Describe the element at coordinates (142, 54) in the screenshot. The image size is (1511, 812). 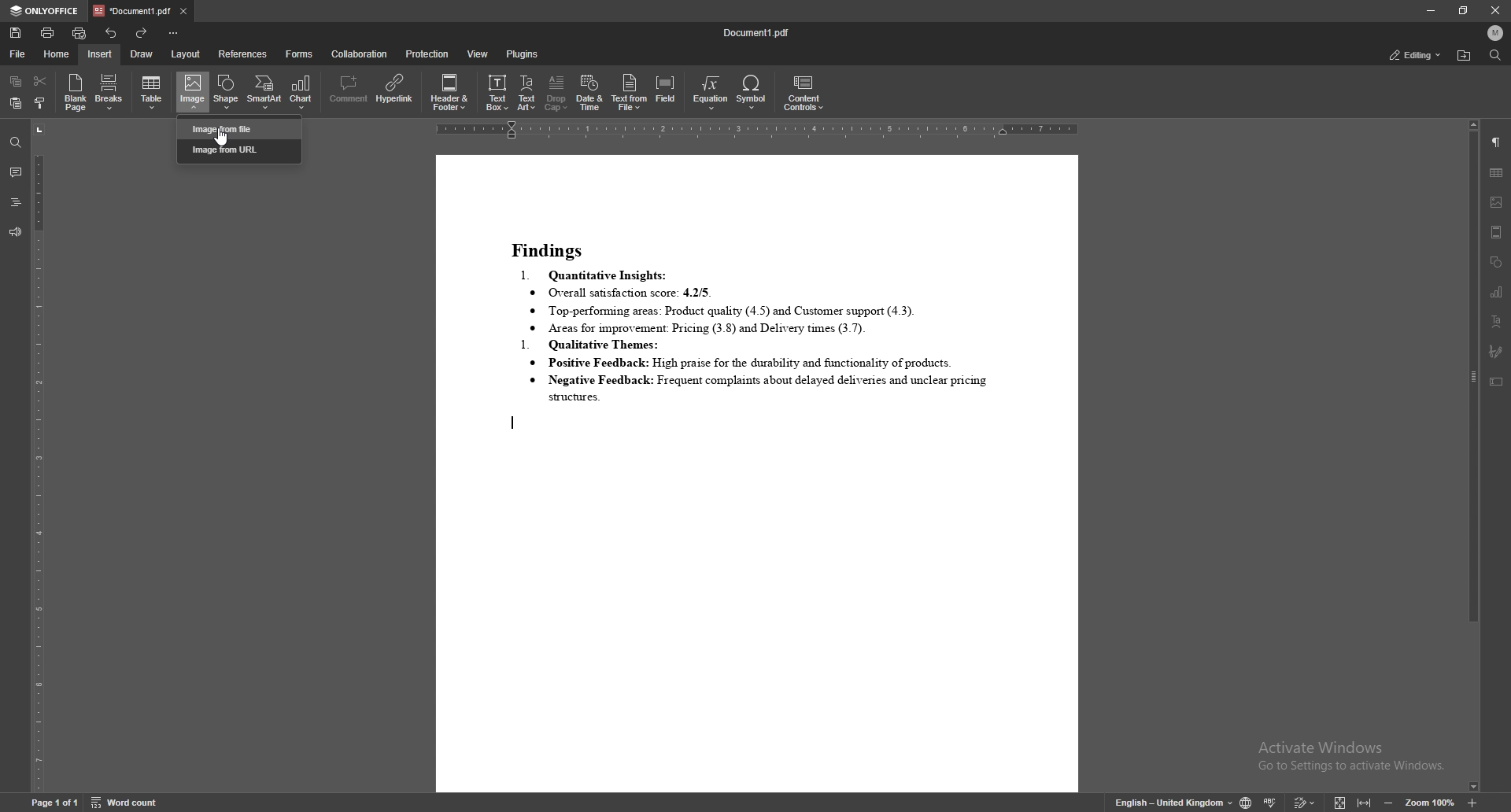
I see `draw` at that location.